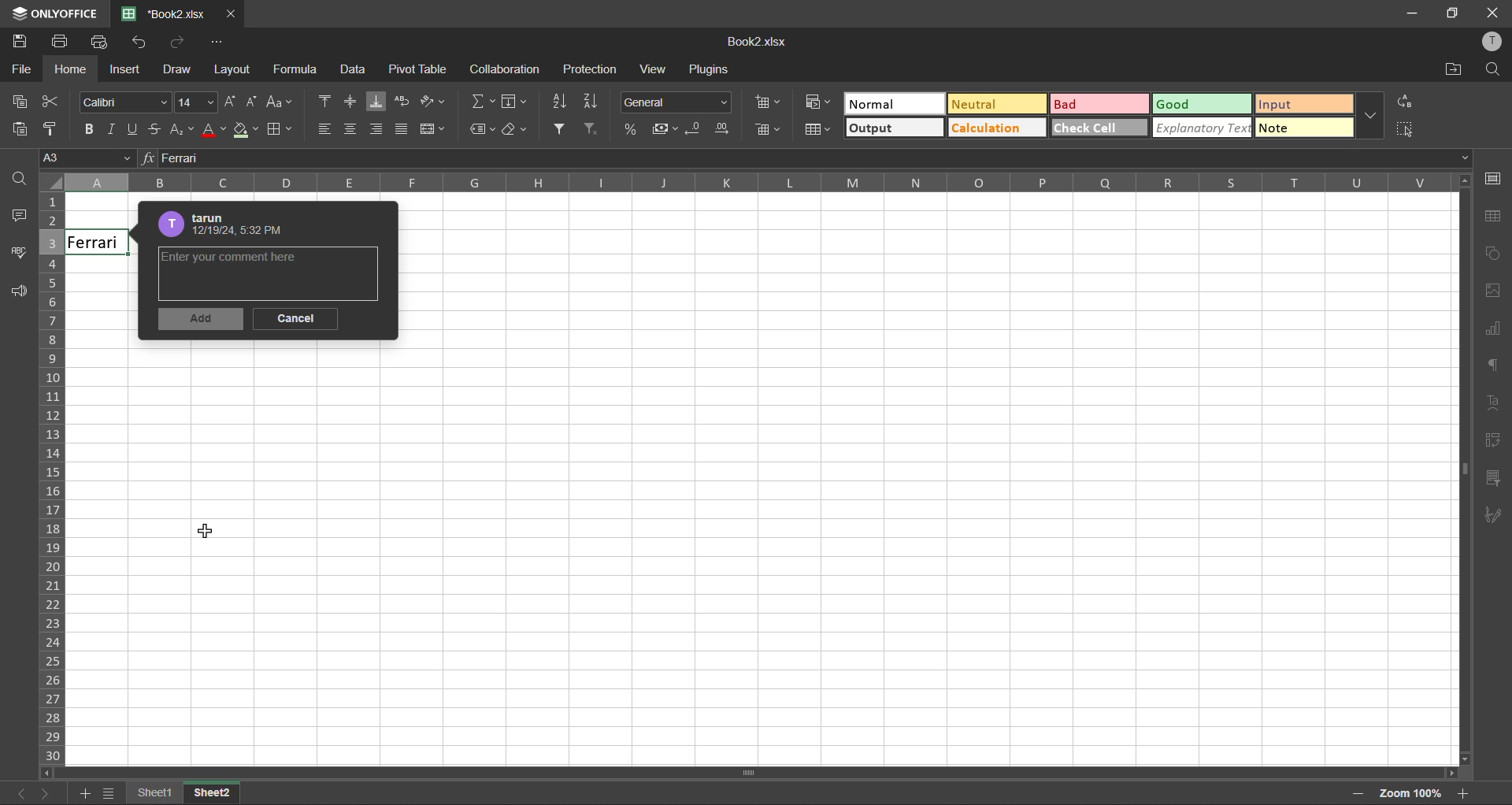 The width and height of the screenshot is (1512, 805). What do you see at coordinates (165, 12) in the screenshot?
I see `Book2.xlsx` at bounding box center [165, 12].